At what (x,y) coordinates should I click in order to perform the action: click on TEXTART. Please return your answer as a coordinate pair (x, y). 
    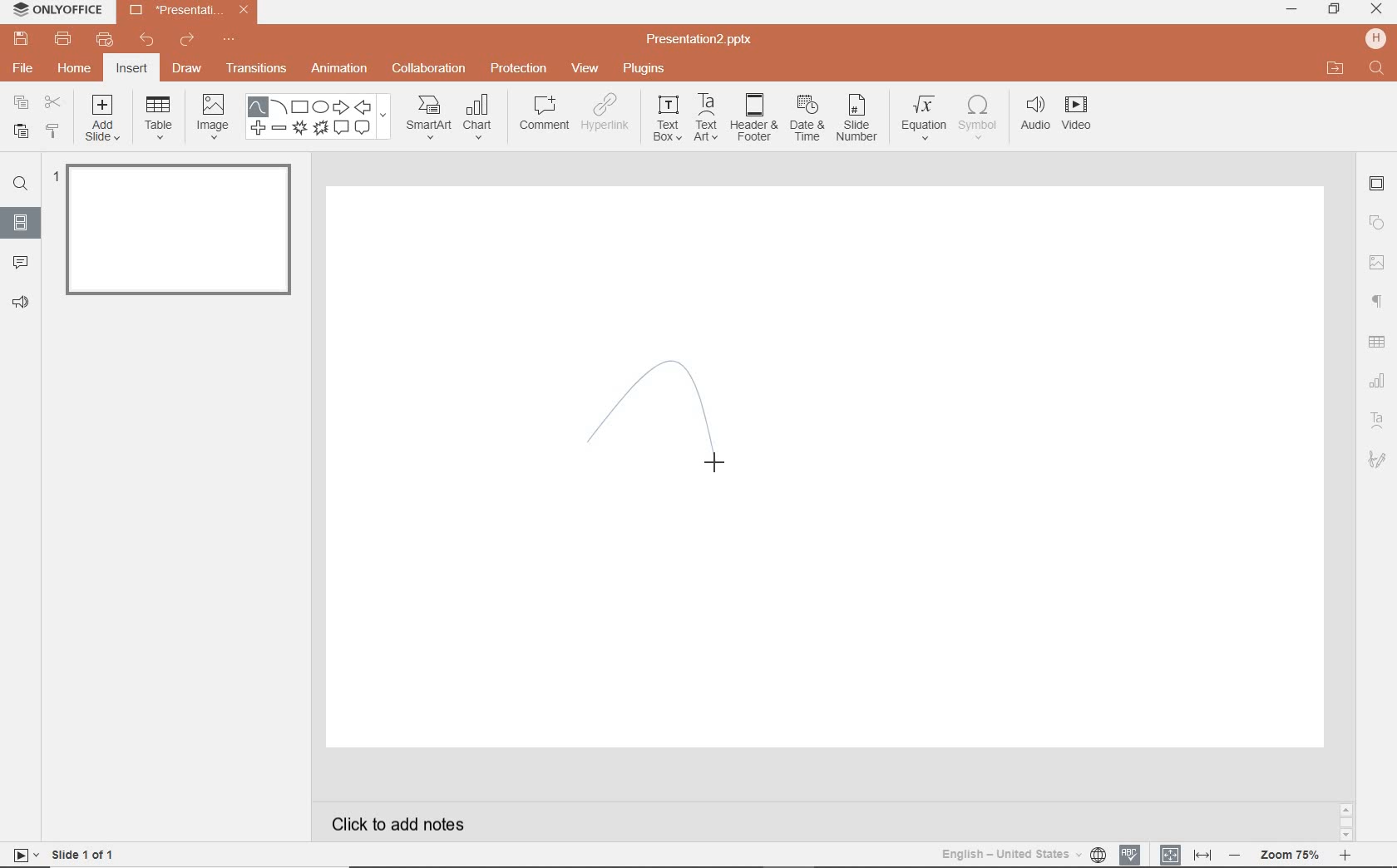
    Looking at the image, I should click on (706, 119).